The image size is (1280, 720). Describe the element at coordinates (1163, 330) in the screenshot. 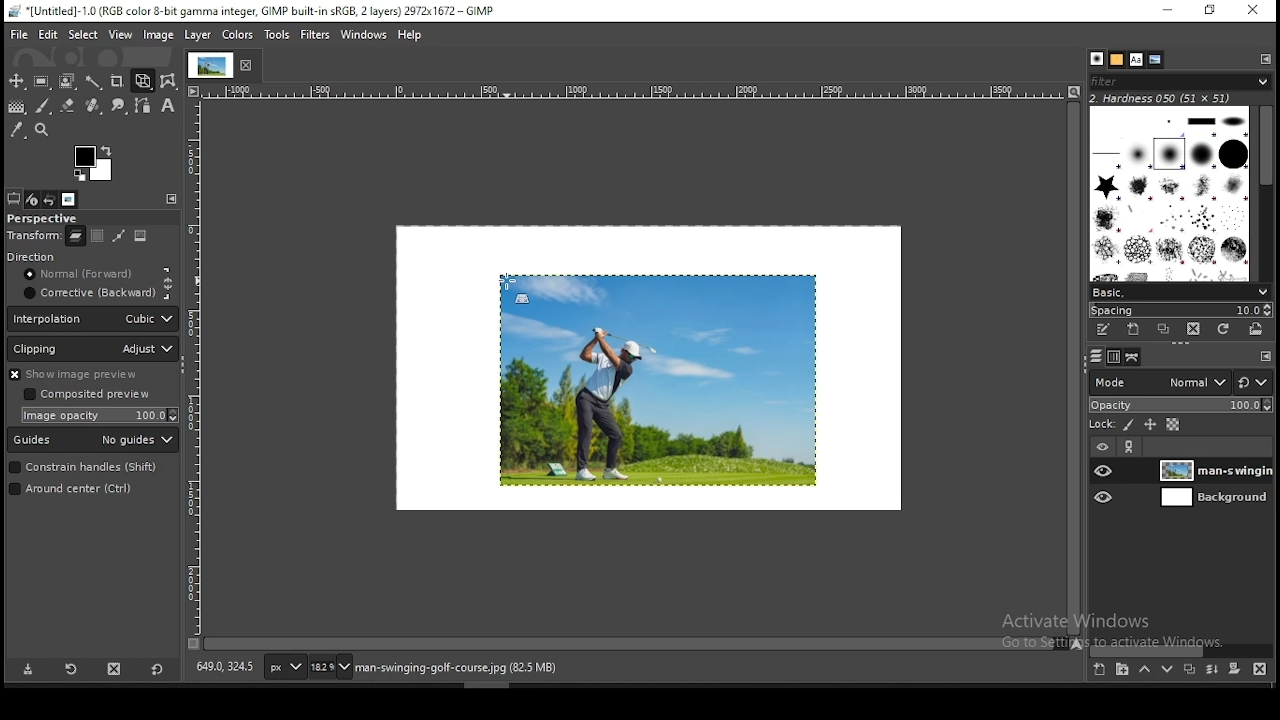

I see `duplicate brush` at that location.